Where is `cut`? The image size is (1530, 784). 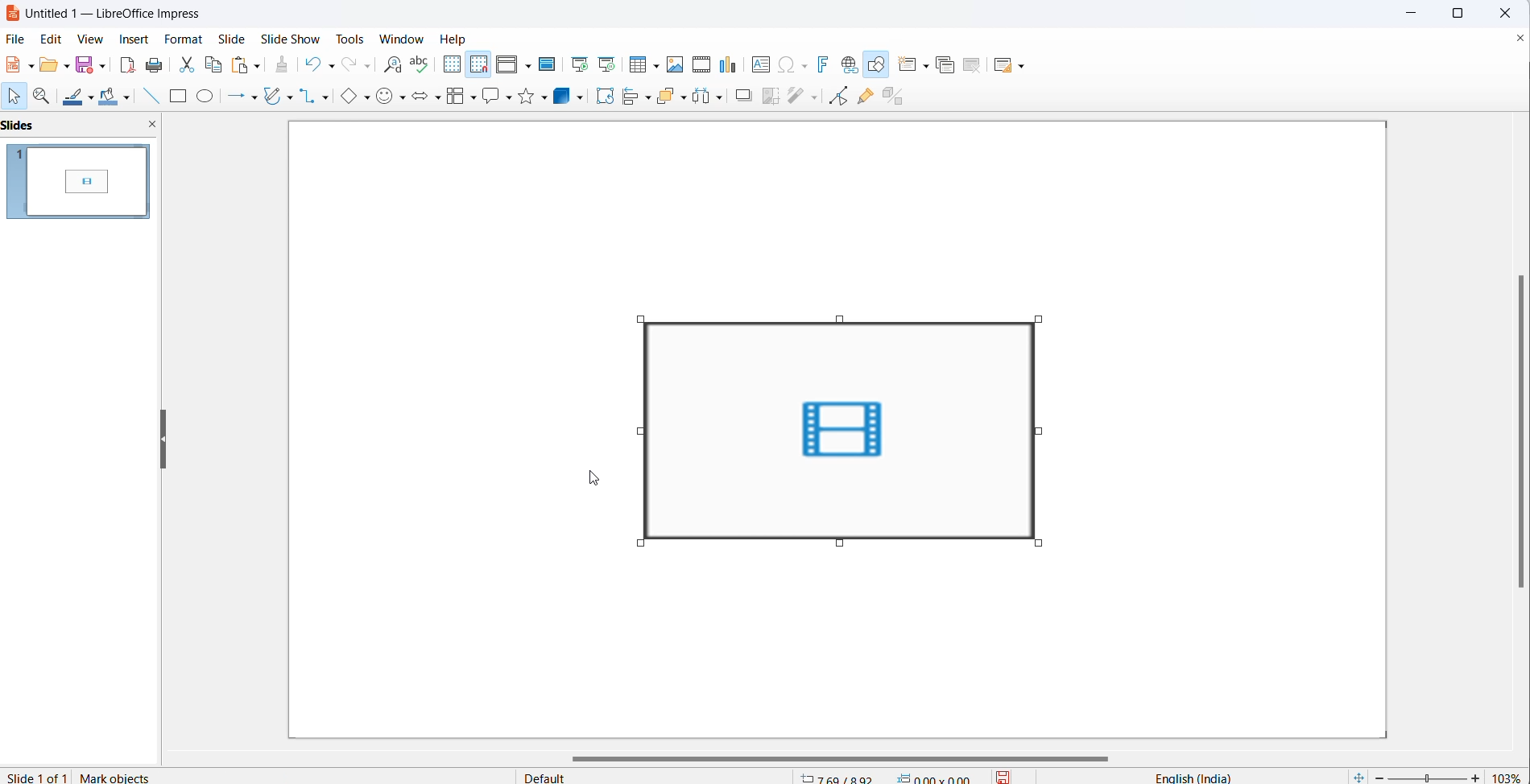
cut is located at coordinates (183, 65).